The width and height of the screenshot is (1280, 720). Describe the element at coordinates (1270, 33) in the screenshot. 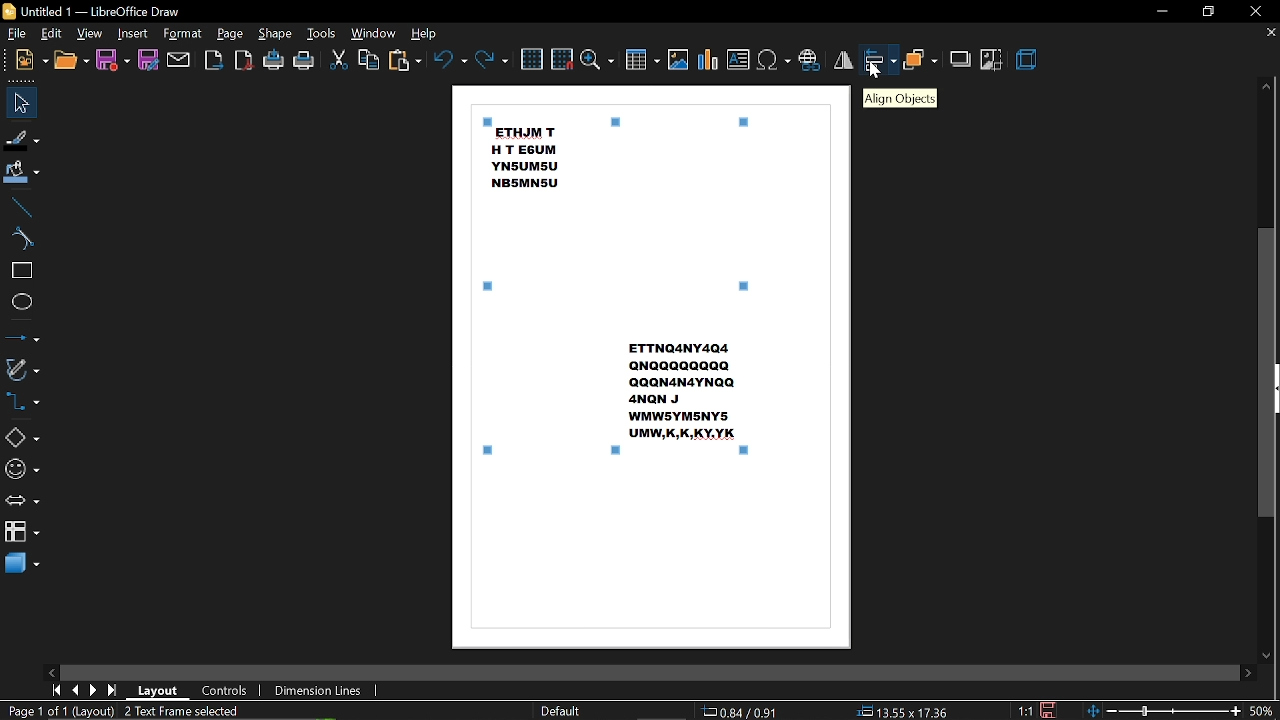

I see `close tab` at that location.